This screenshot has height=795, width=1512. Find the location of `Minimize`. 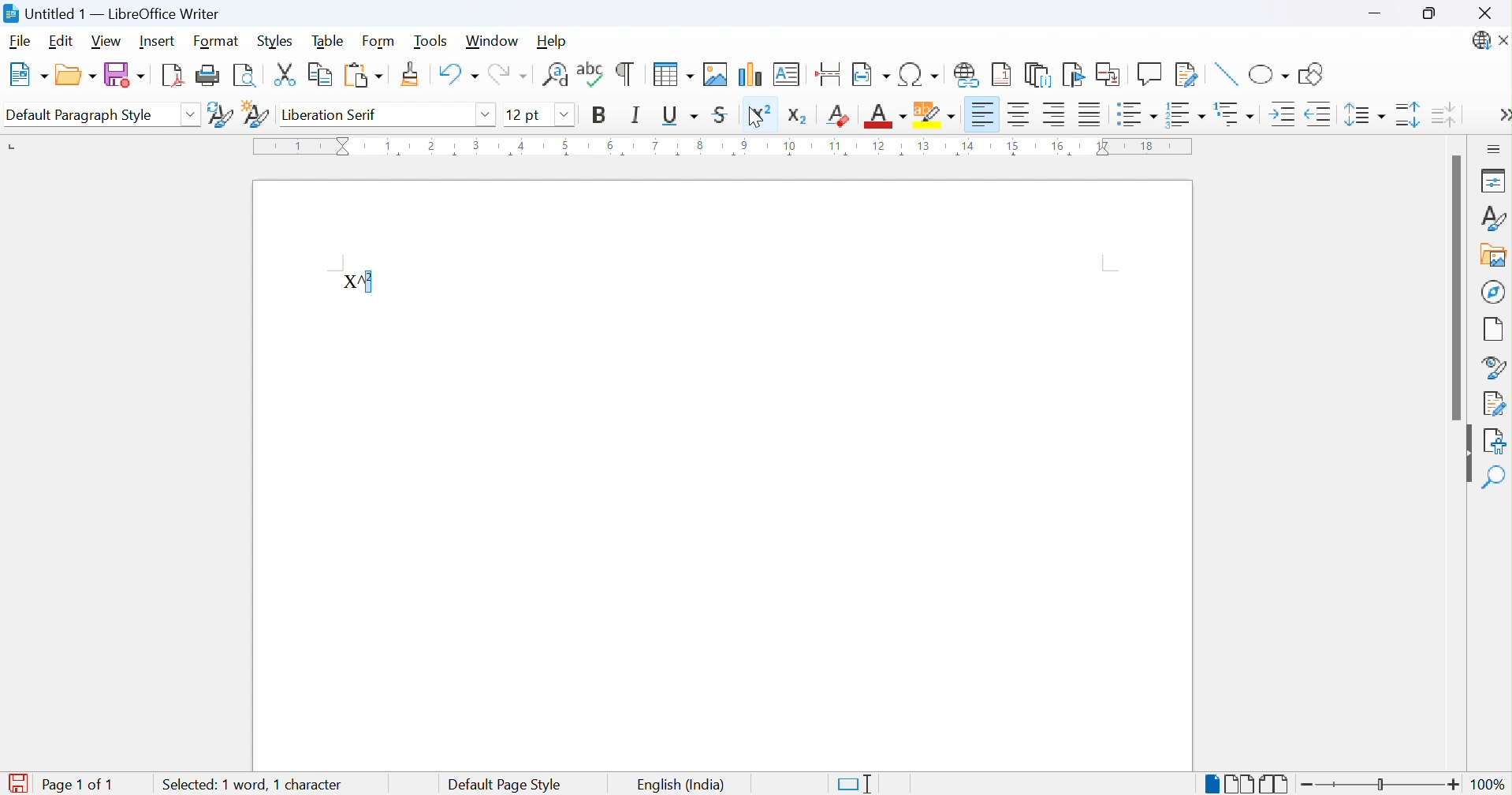

Minimize is located at coordinates (1375, 15).